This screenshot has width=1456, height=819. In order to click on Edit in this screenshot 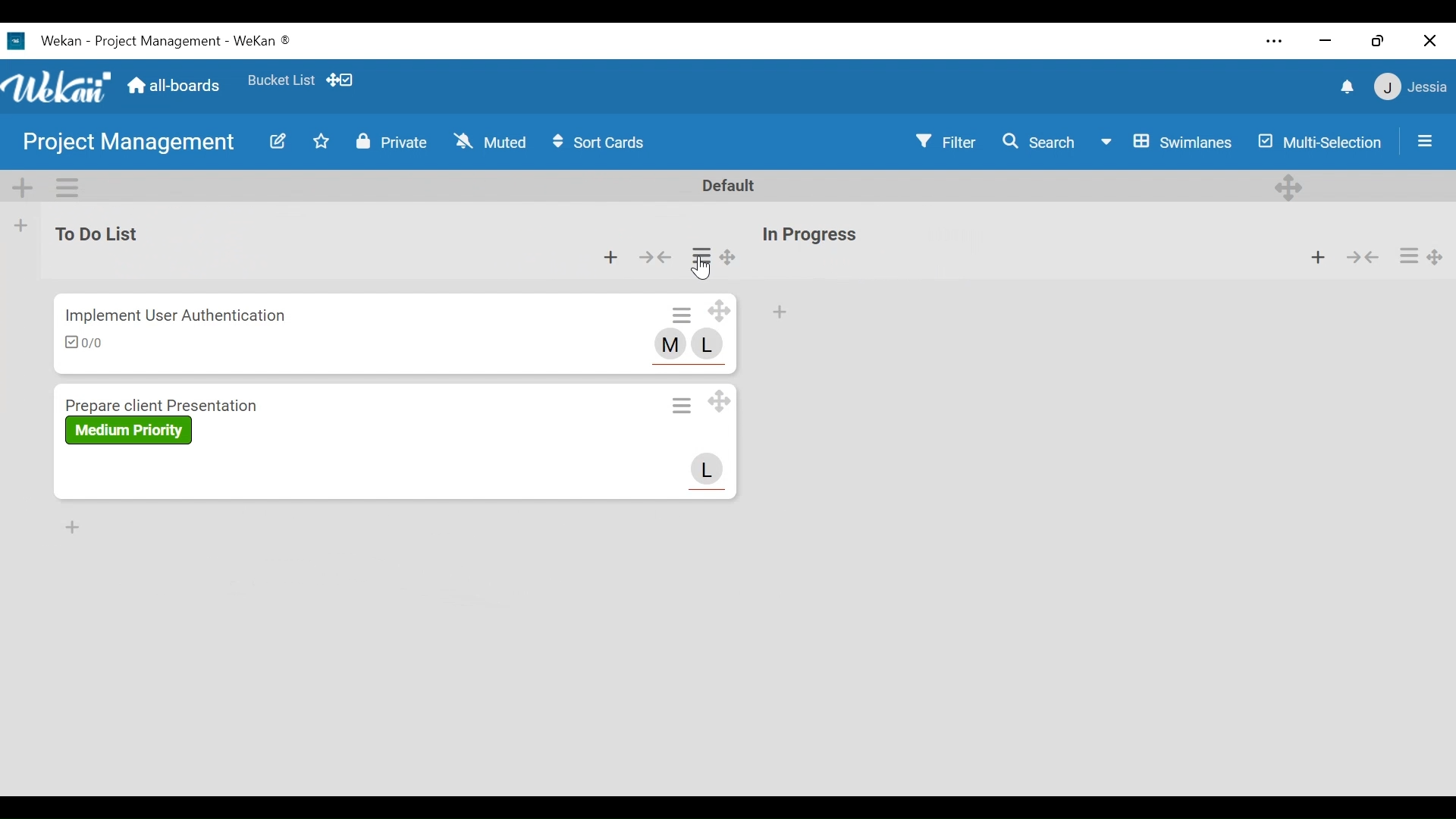, I will do `click(279, 140)`.